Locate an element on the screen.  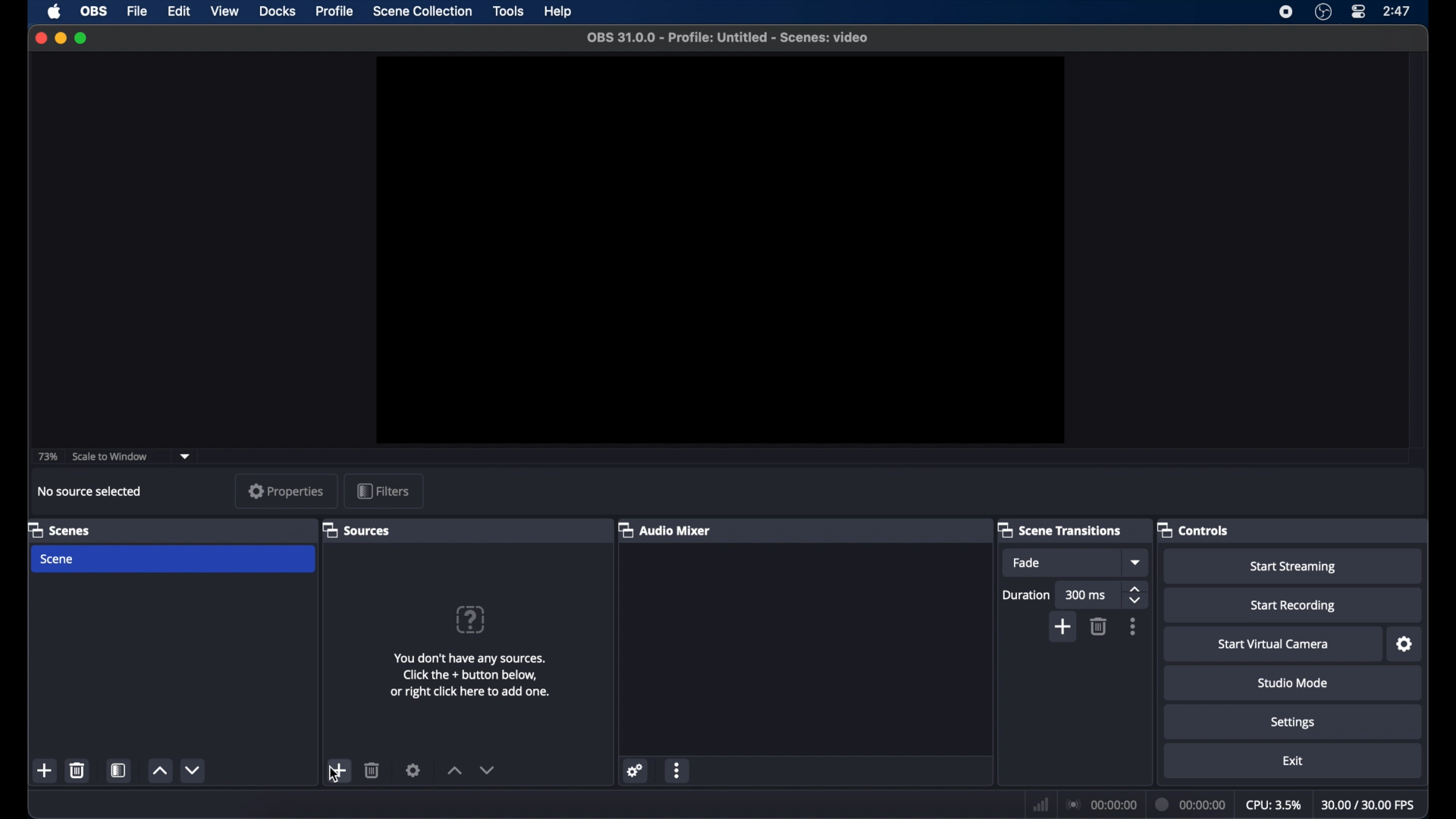
scene collection is located at coordinates (424, 11).